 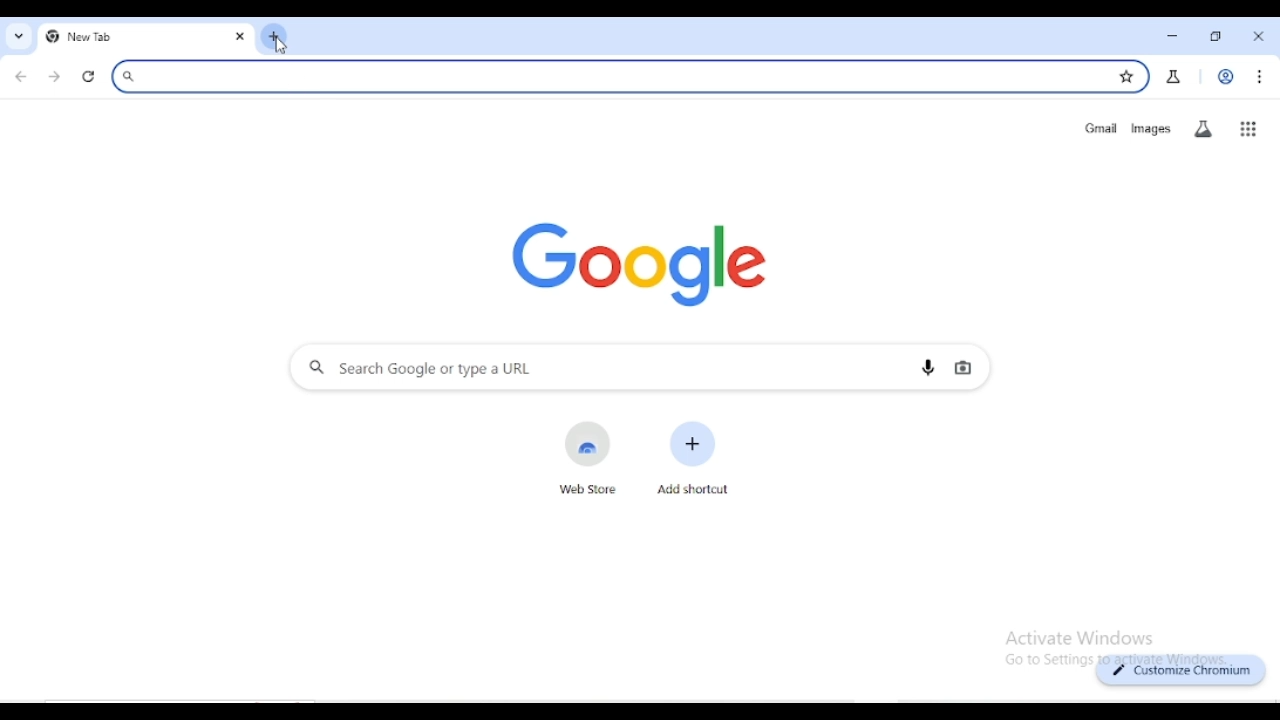 What do you see at coordinates (20, 37) in the screenshot?
I see `search tabs` at bounding box center [20, 37].